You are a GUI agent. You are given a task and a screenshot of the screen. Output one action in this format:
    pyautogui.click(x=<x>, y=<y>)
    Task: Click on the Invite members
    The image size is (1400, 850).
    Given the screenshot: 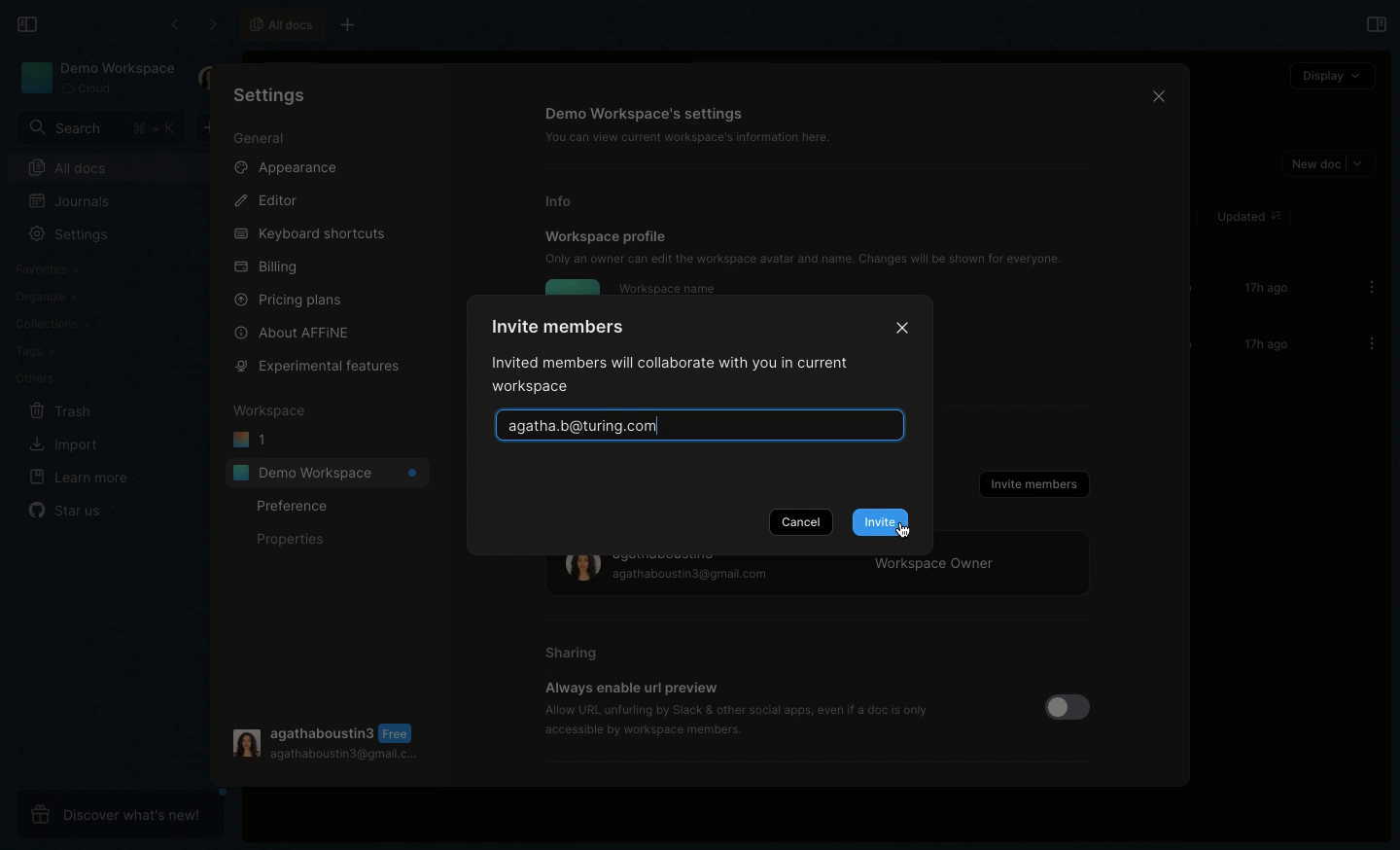 What is the action you would take?
    pyautogui.click(x=1032, y=484)
    